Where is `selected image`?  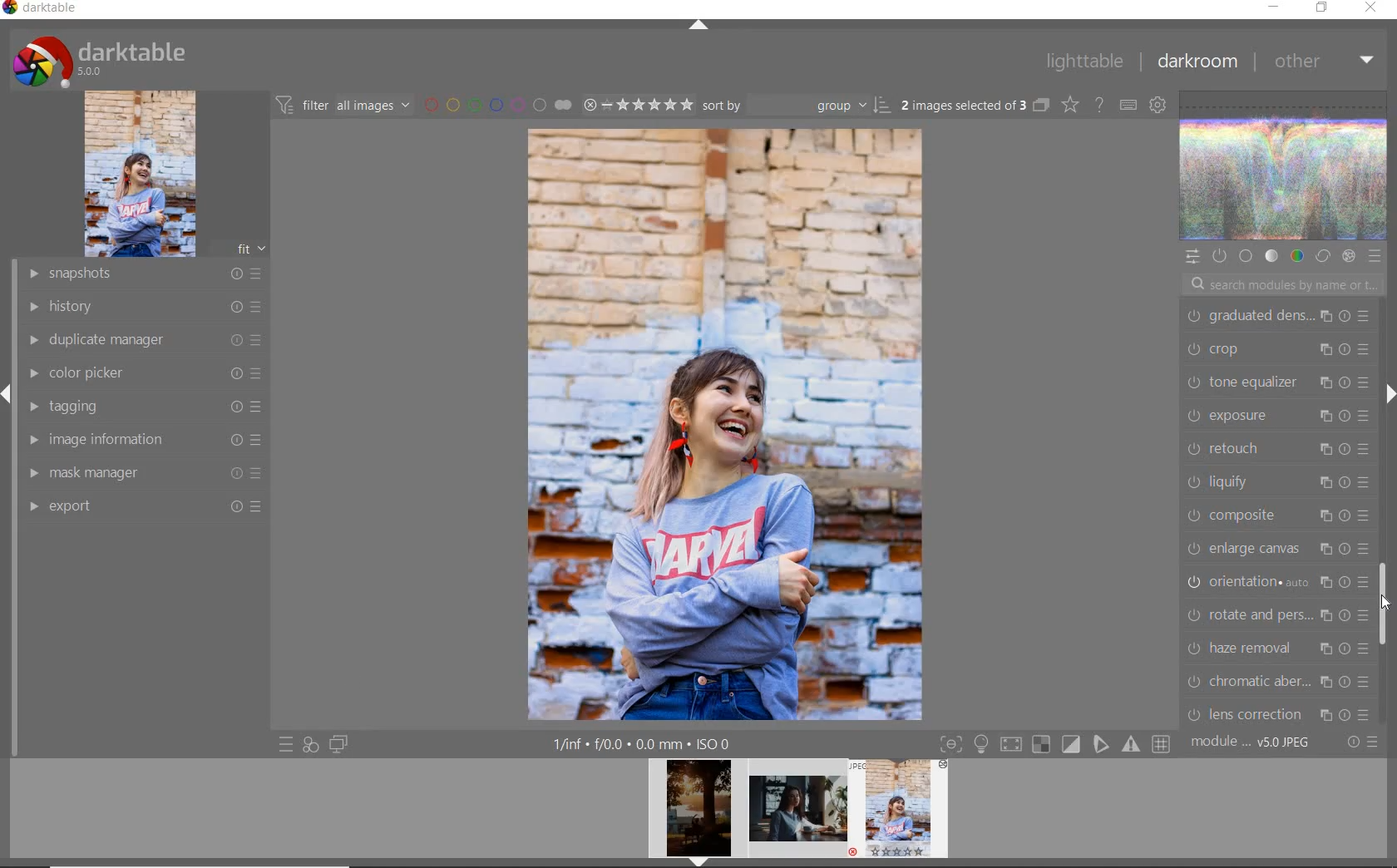 selected image is located at coordinates (726, 422).